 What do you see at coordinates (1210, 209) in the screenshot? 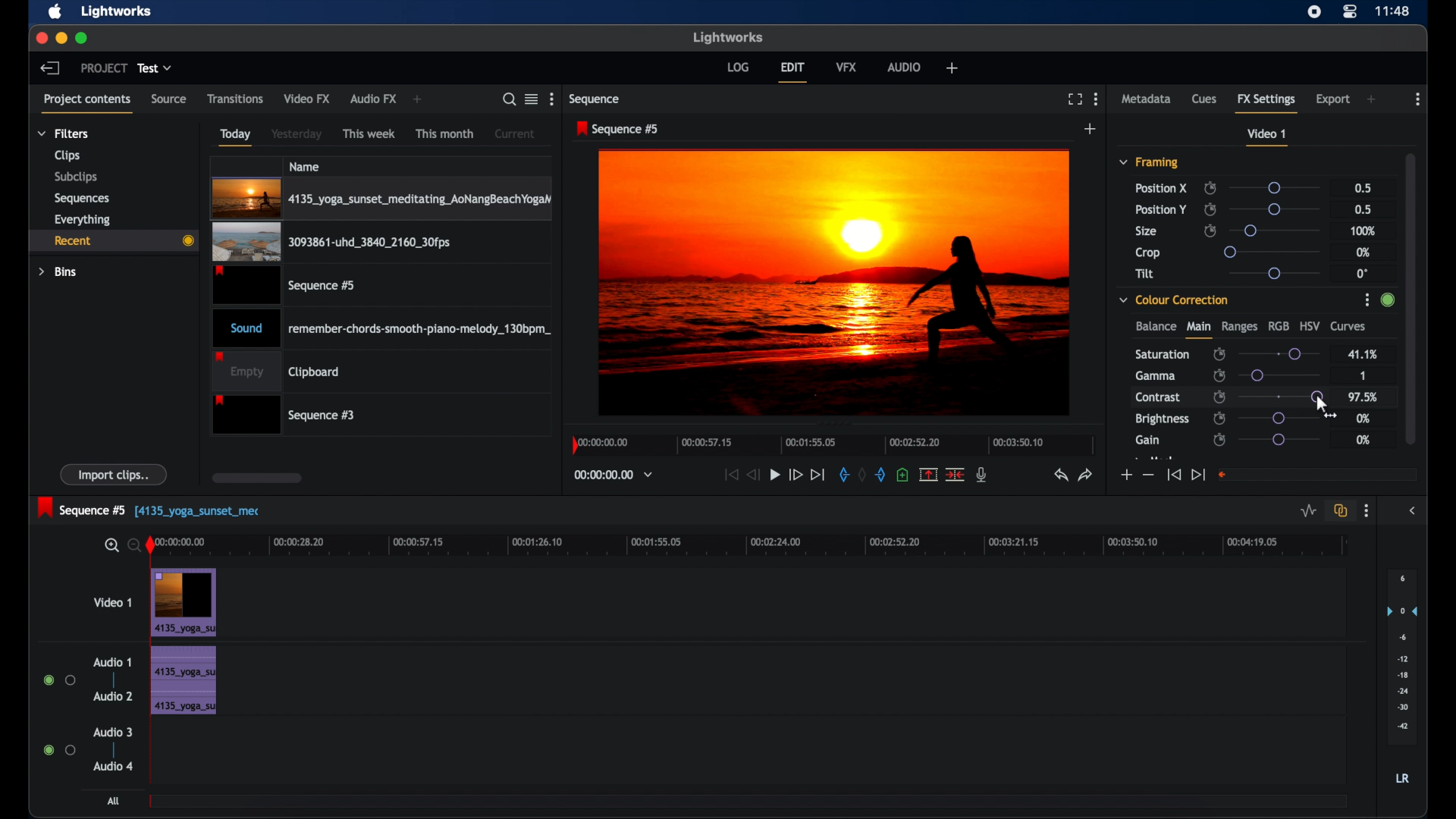
I see `enable/disable keyframes` at bounding box center [1210, 209].